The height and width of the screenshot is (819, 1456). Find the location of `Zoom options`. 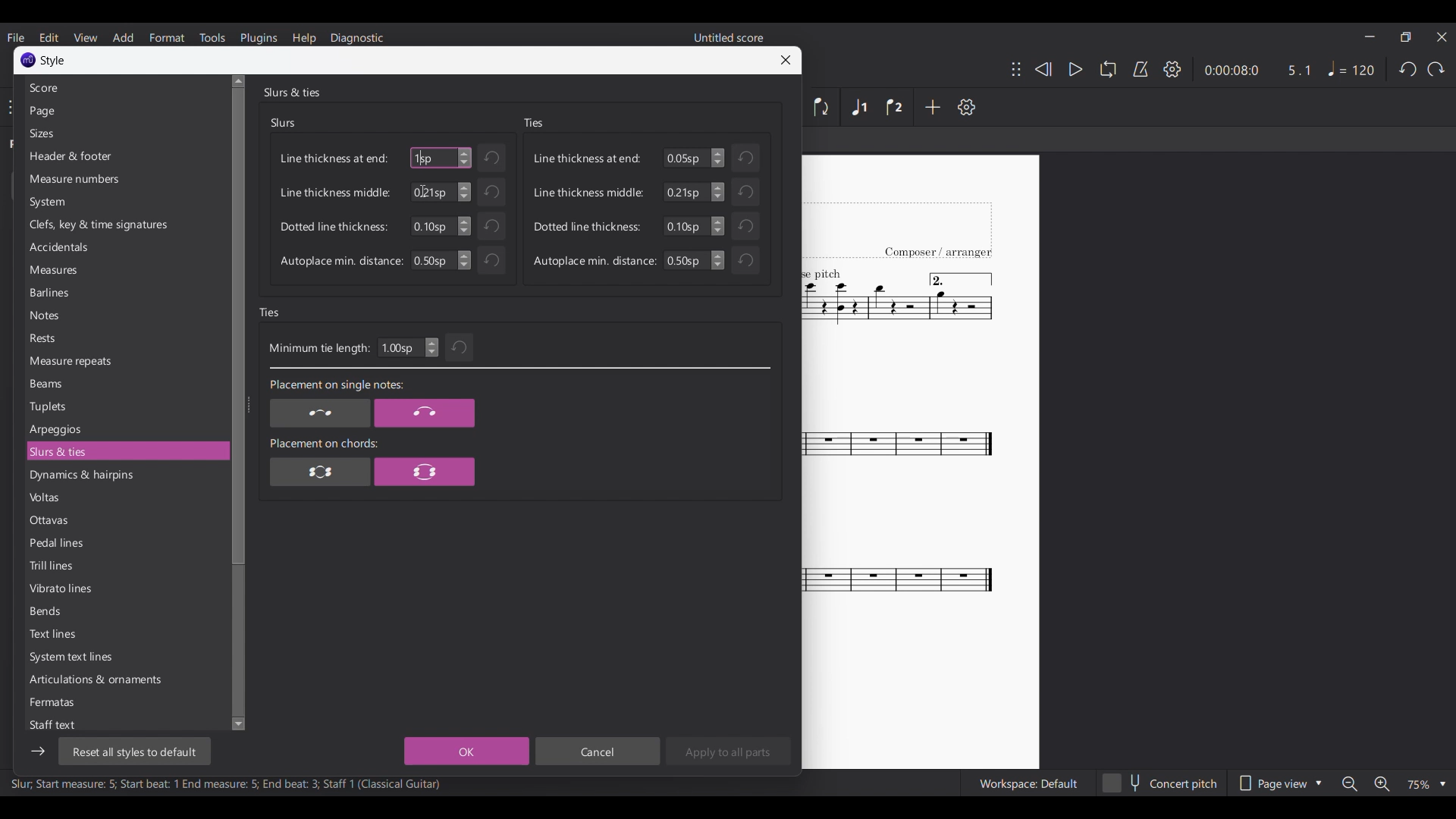

Zoom options is located at coordinates (1426, 784).